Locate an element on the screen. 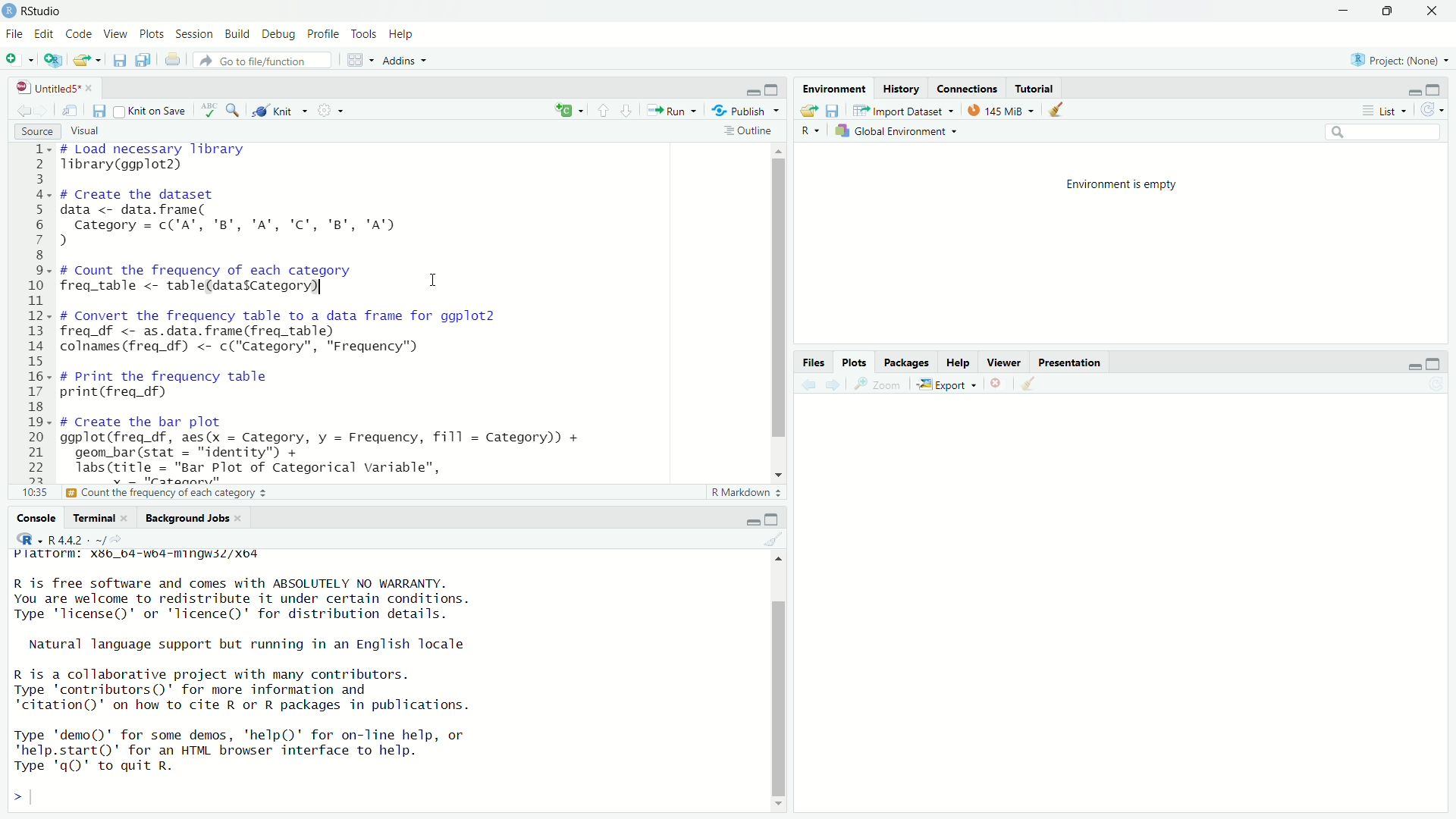  edit is located at coordinates (44, 35).